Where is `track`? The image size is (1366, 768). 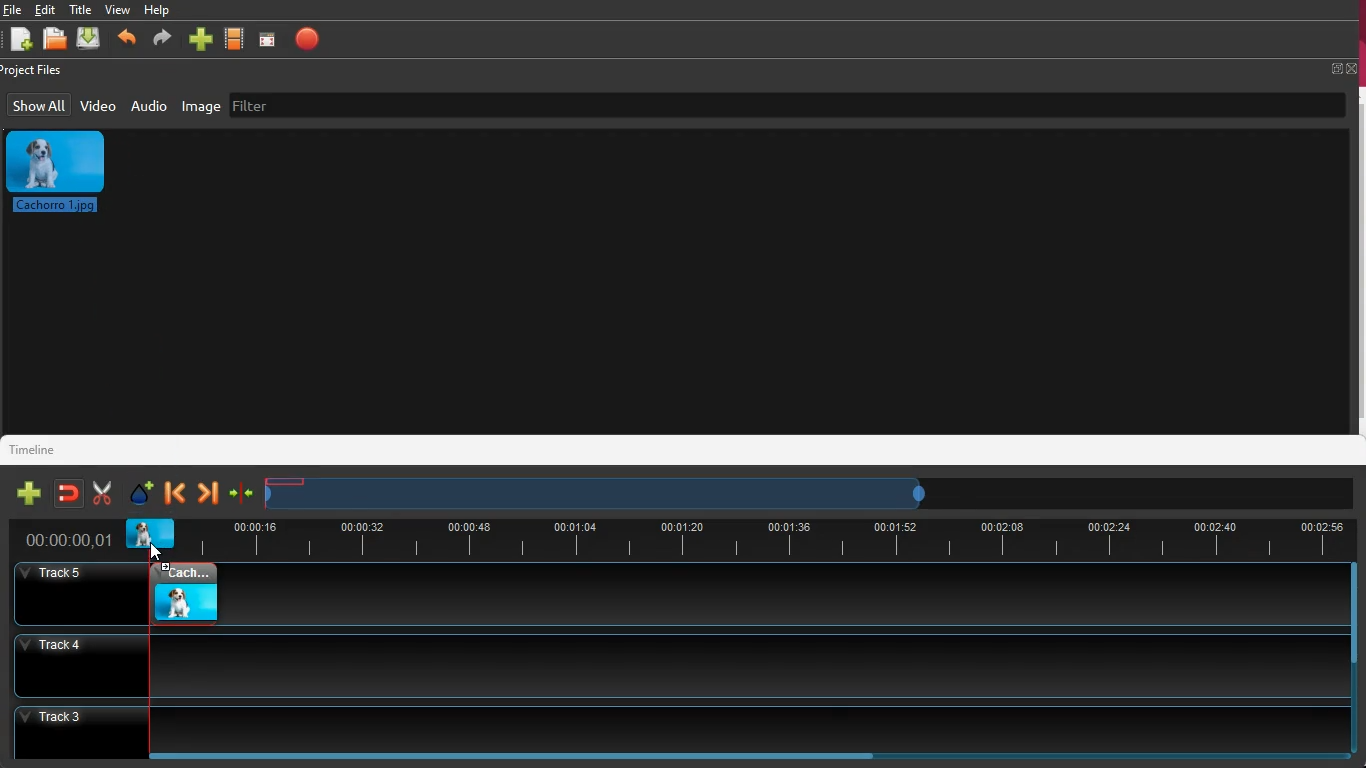
track is located at coordinates (669, 665).